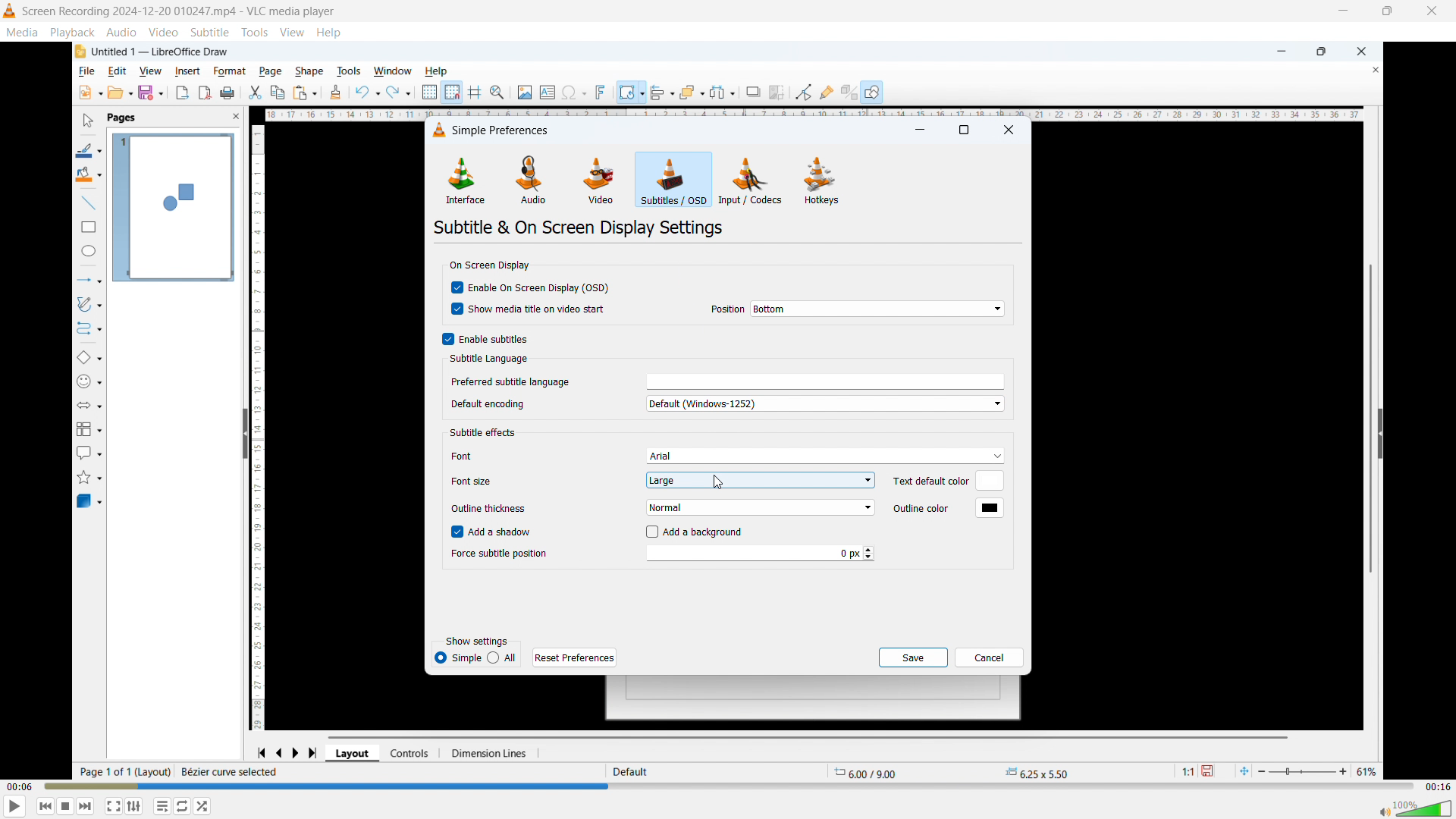 This screenshot has width=1456, height=819. Describe the element at coordinates (183, 806) in the screenshot. I see `Show advanced settings ` at that location.